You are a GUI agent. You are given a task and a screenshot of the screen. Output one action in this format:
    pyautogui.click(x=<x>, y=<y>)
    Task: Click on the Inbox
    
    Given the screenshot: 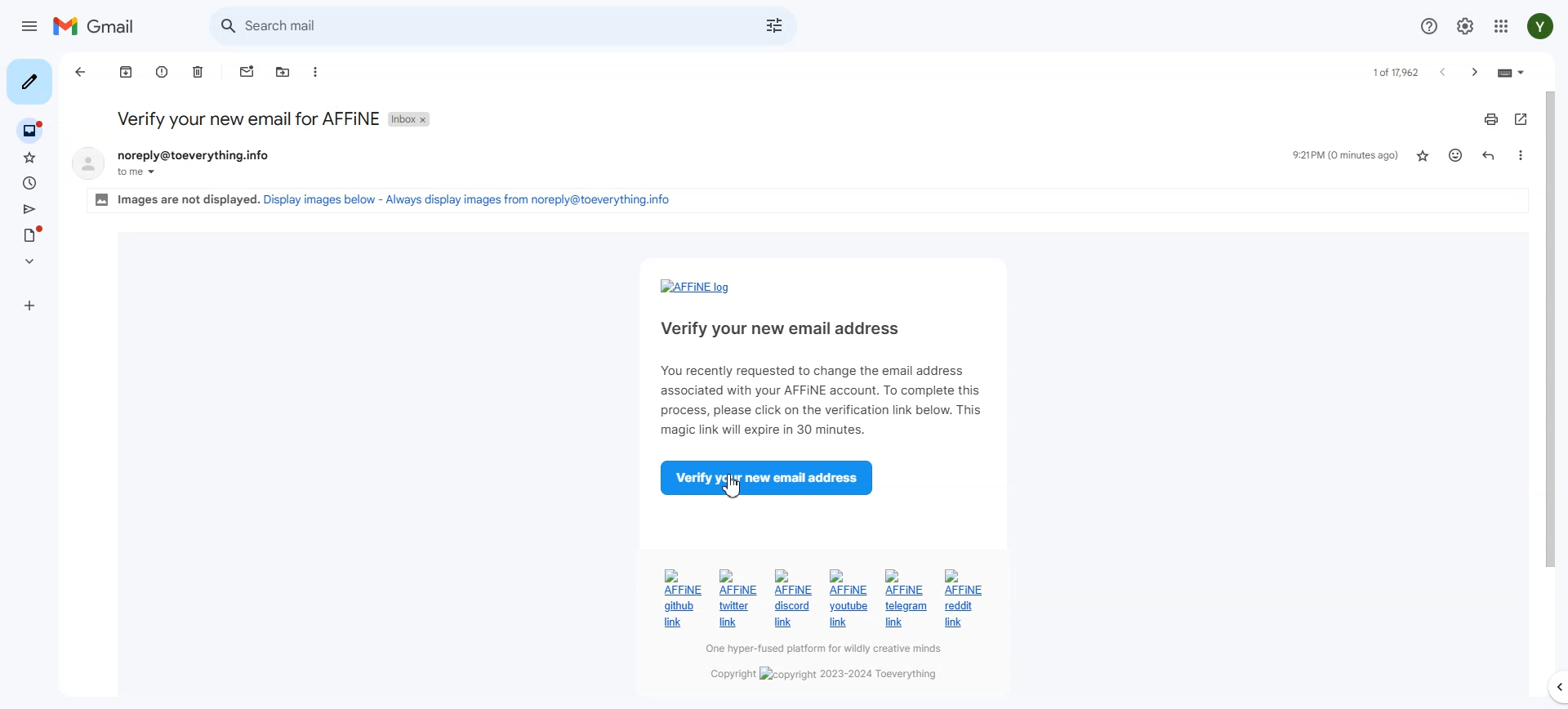 What is the action you would take?
    pyautogui.click(x=411, y=120)
    